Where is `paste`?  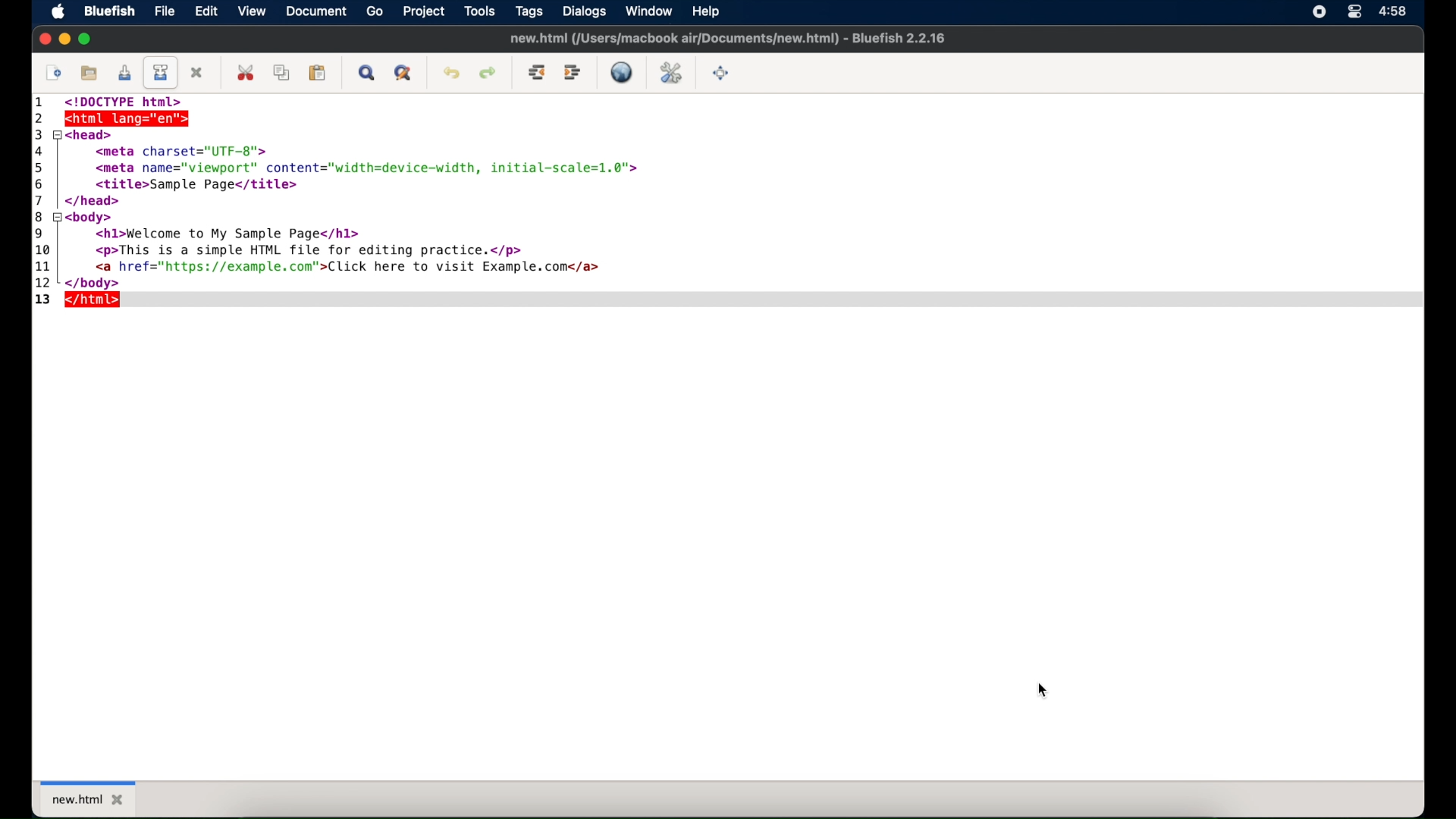
paste is located at coordinates (318, 73).